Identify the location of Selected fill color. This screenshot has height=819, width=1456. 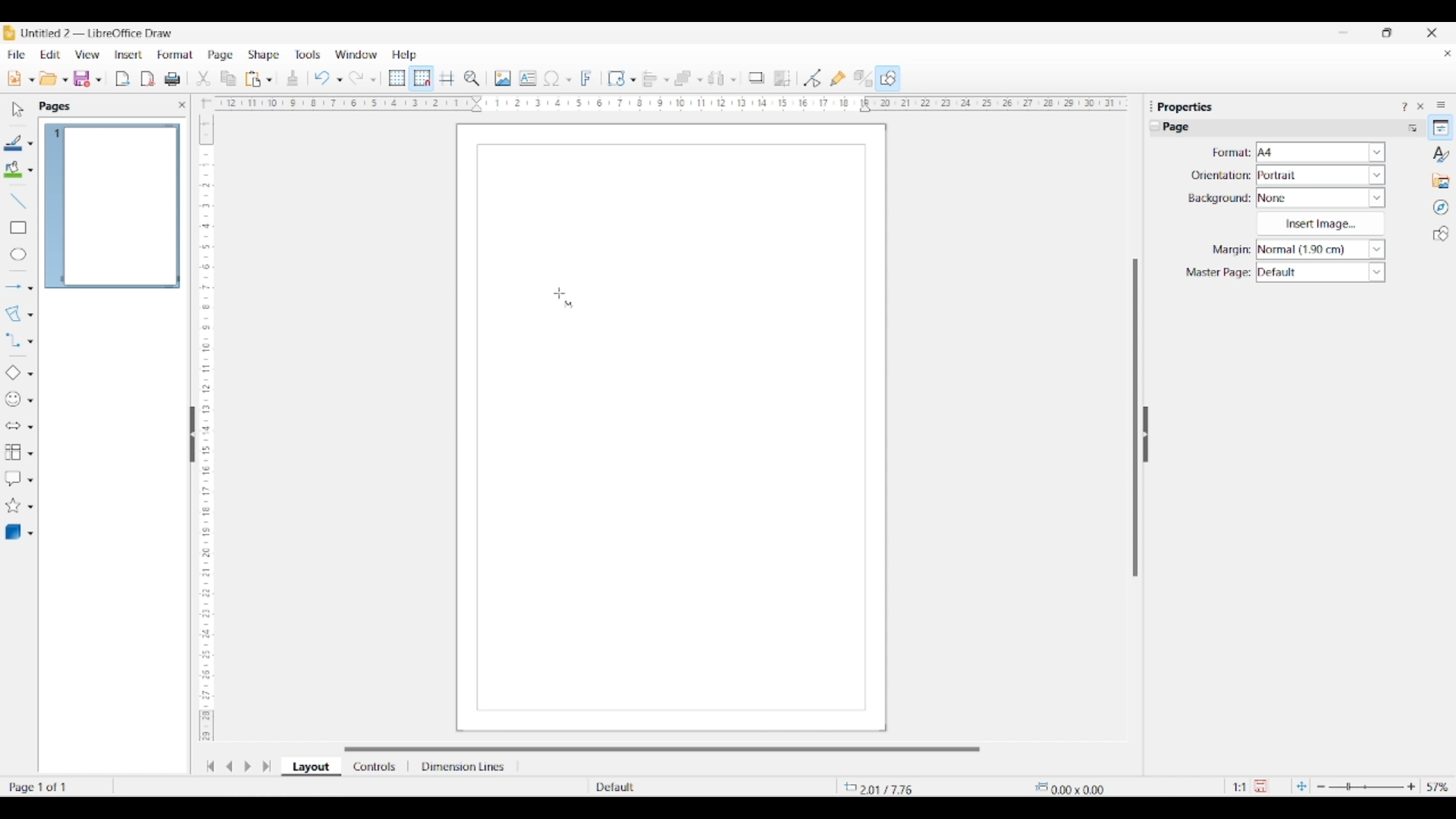
(13, 169).